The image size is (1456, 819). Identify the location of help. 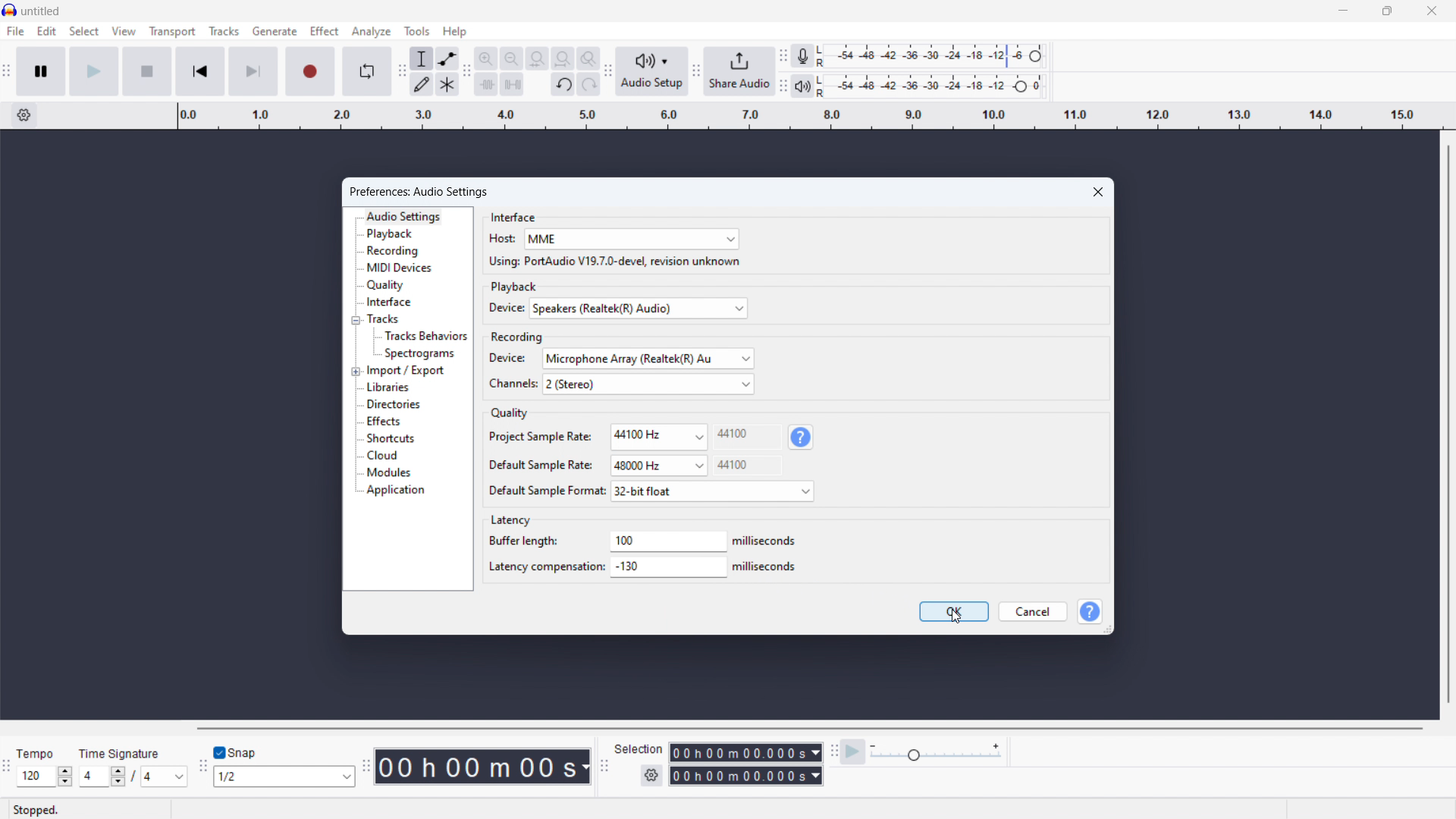
(455, 31).